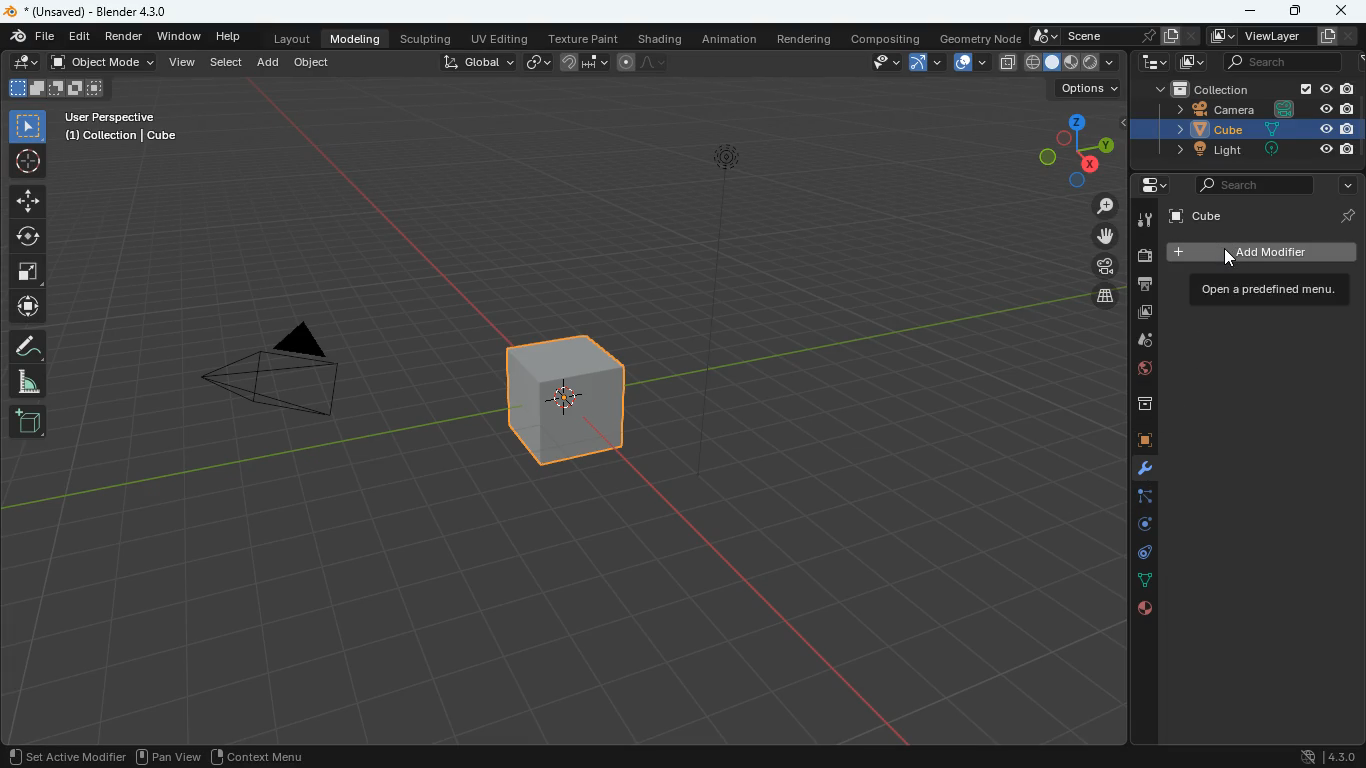  What do you see at coordinates (1276, 151) in the screenshot?
I see `` at bounding box center [1276, 151].